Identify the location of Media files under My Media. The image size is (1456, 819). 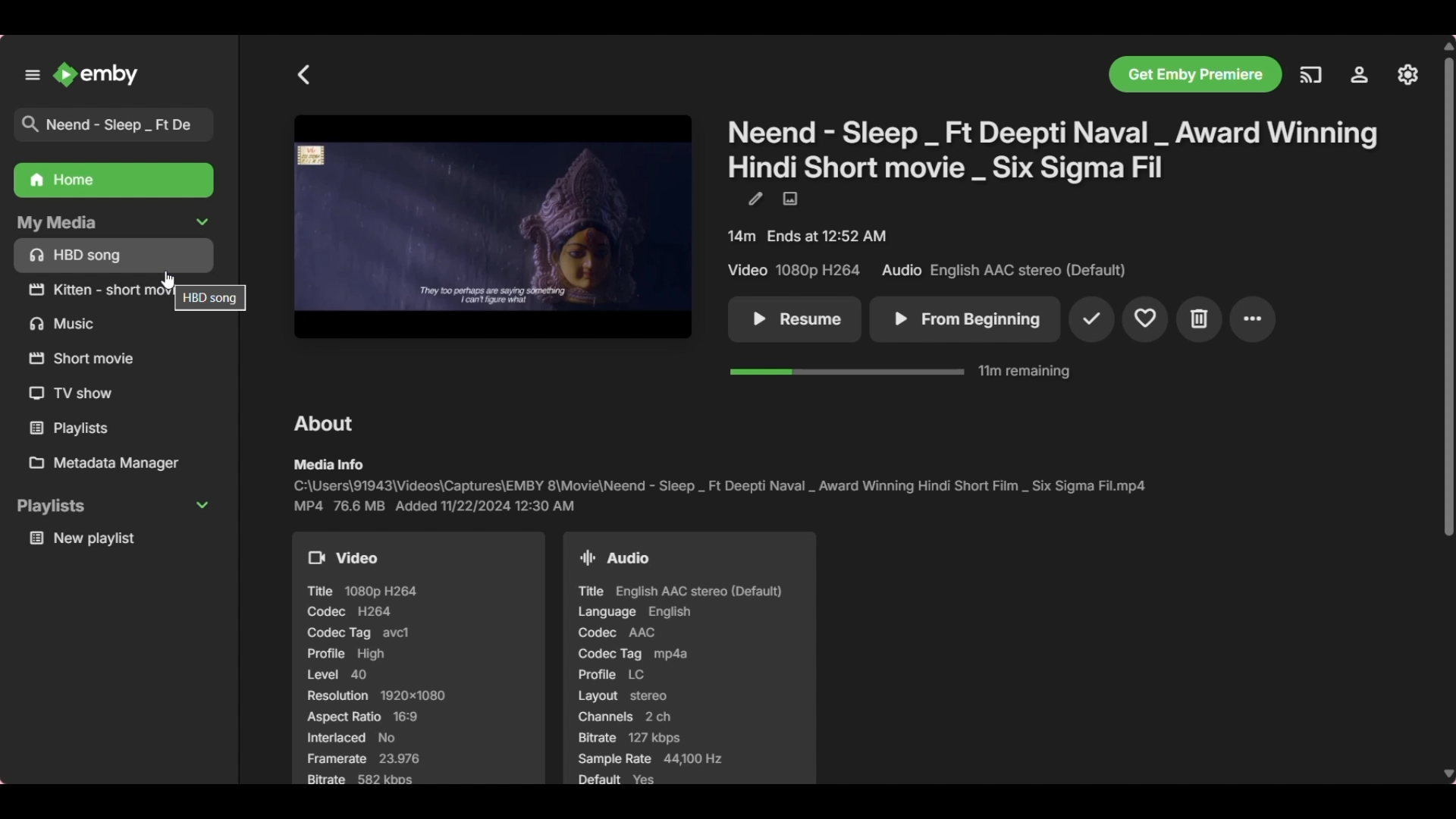
(115, 254).